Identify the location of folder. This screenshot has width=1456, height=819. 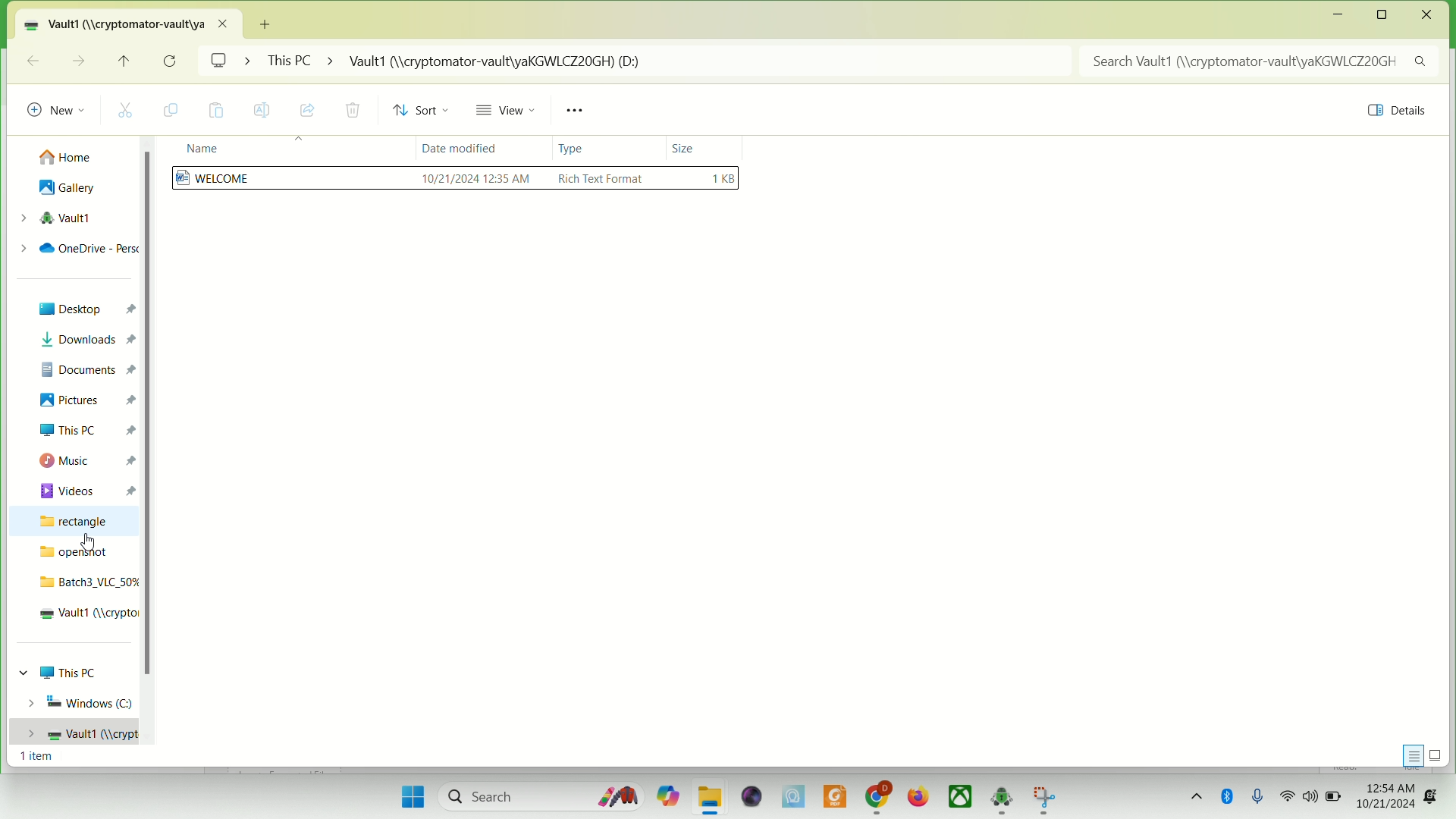
(711, 798).